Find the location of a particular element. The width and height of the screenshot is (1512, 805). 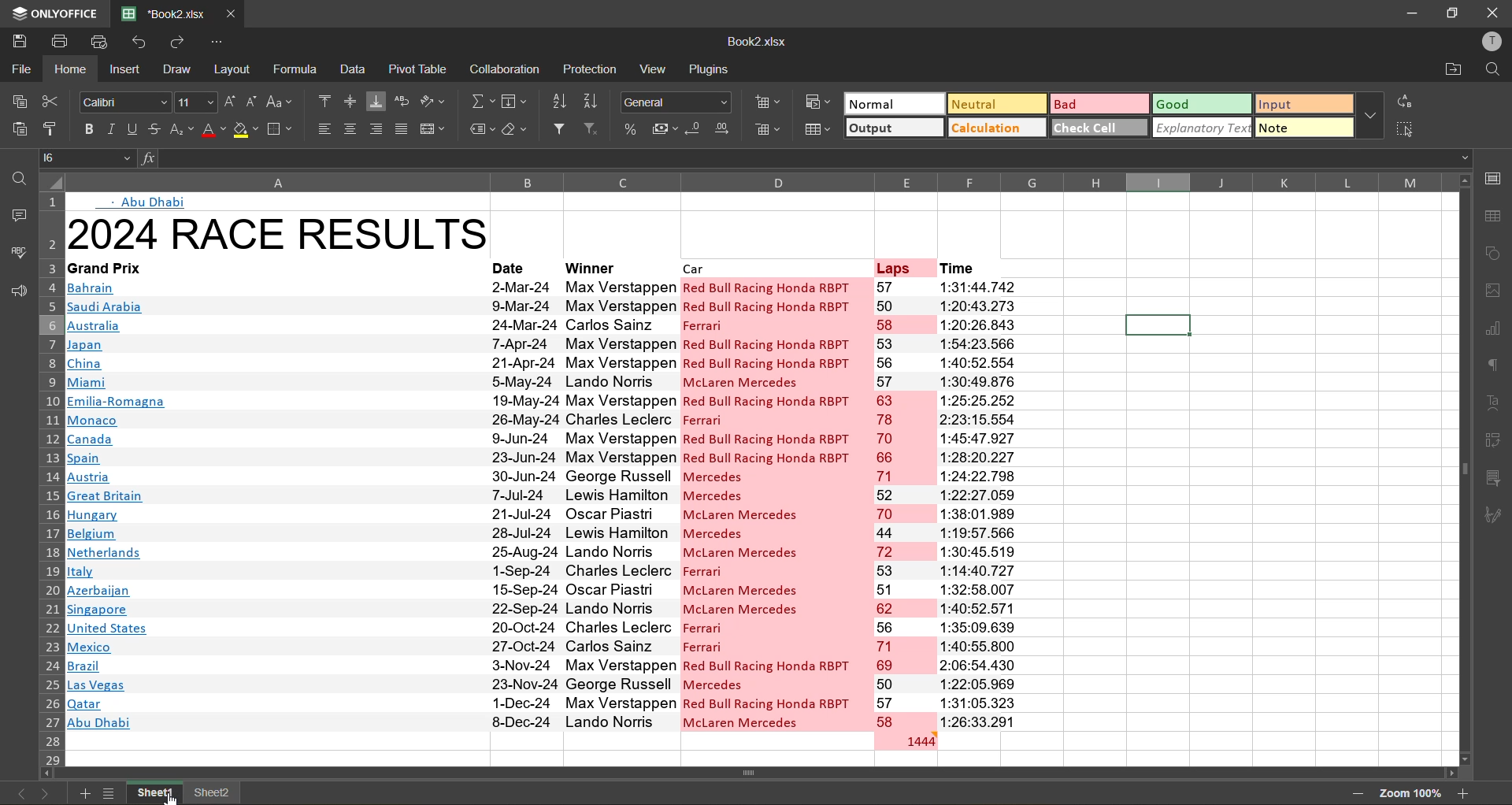

save is located at coordinates (17, 39).